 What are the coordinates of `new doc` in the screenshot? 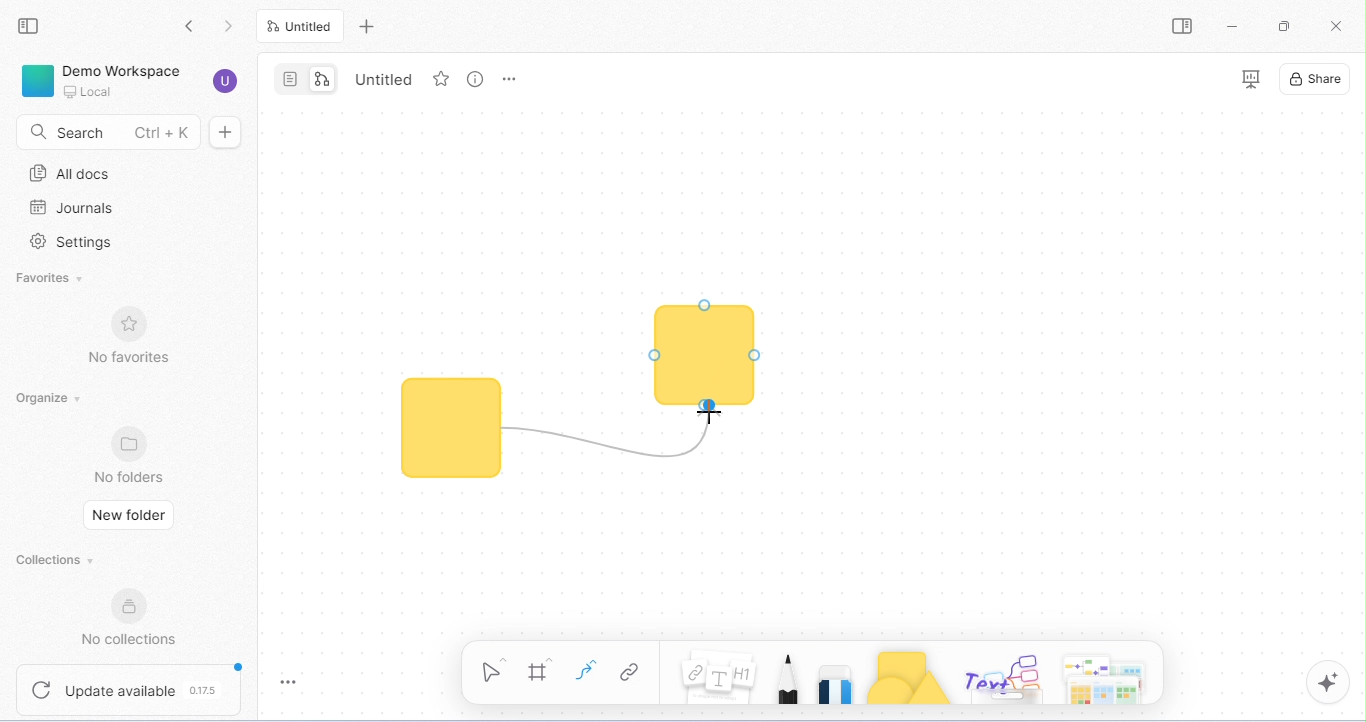 It's located at (225, 132).